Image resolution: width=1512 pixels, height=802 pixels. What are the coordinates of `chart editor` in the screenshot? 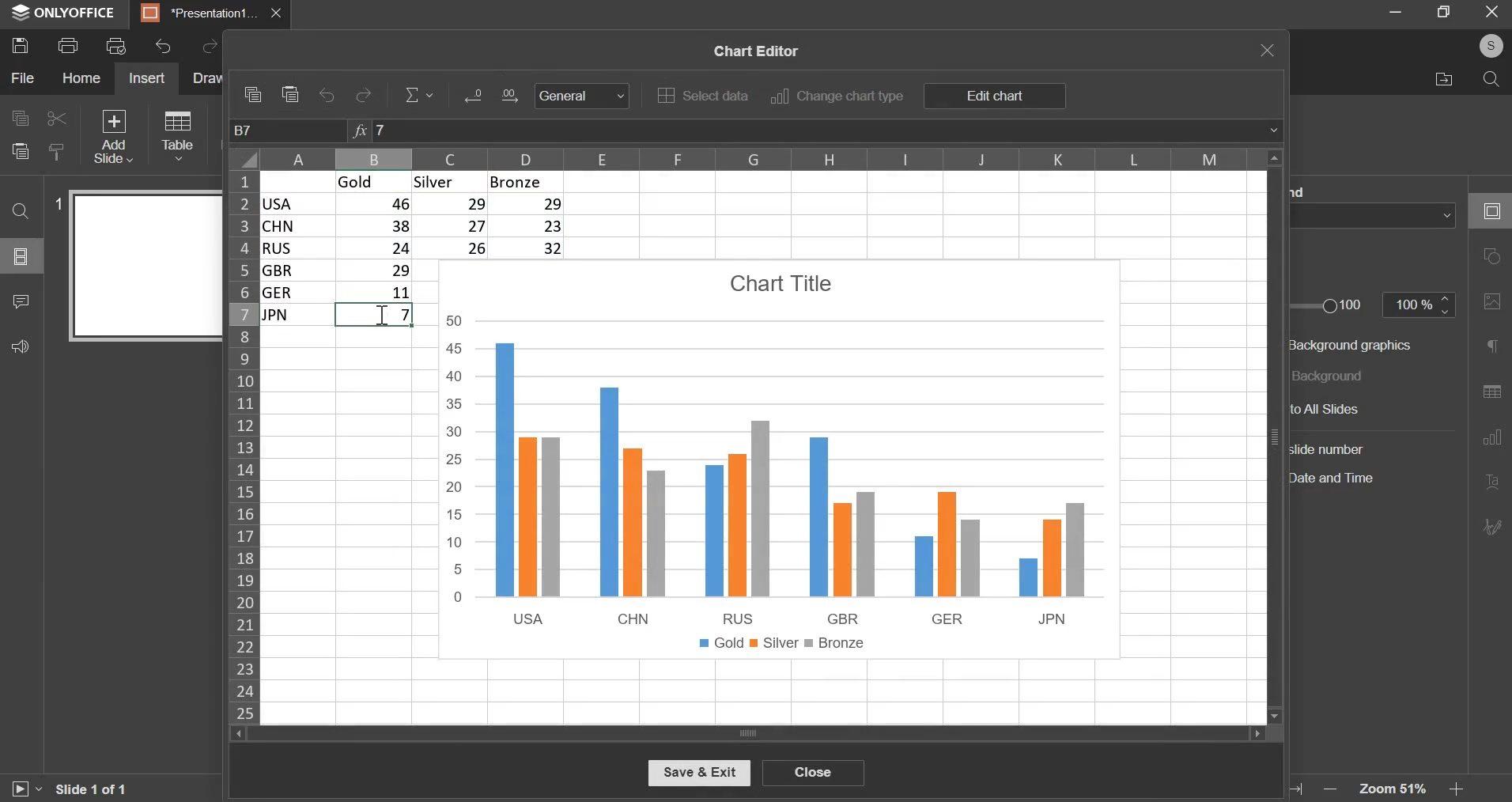 It's located at (753, 48).